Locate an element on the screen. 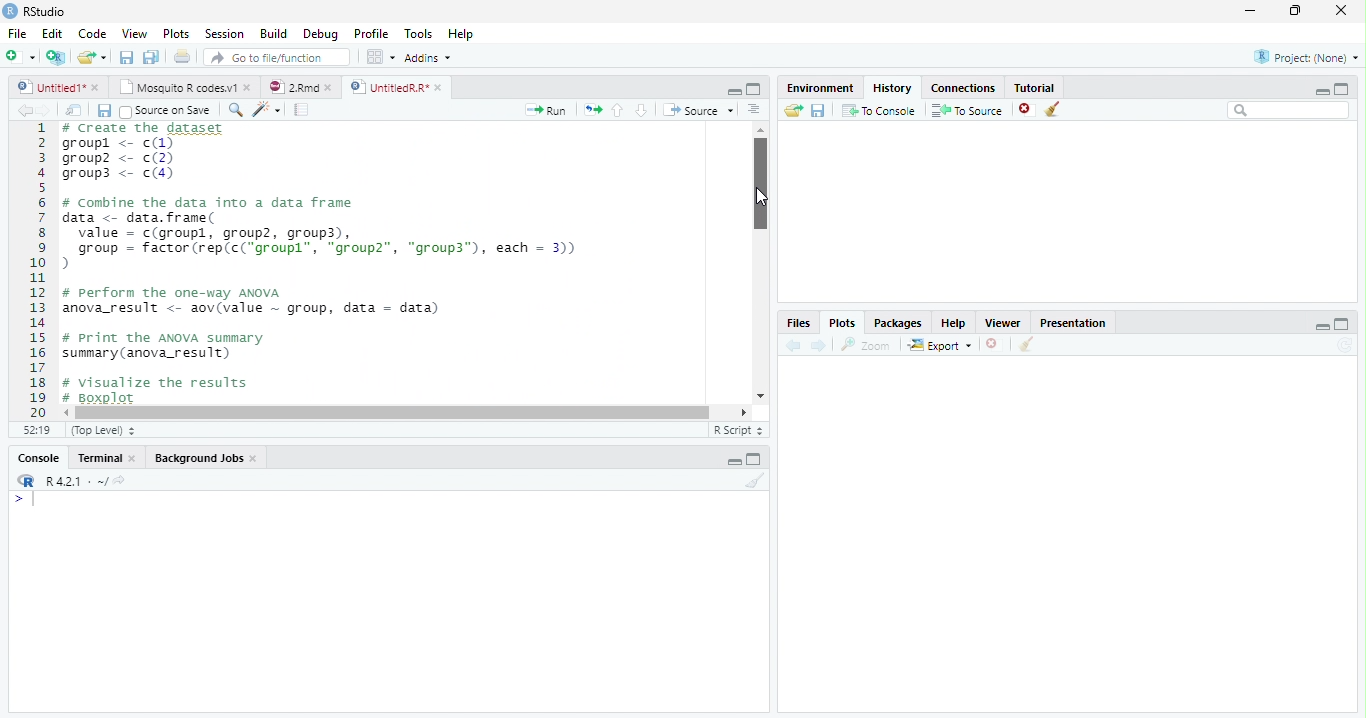 This screenshot has height=718, width=1366. Magic code is located at coordinates (267, 111).